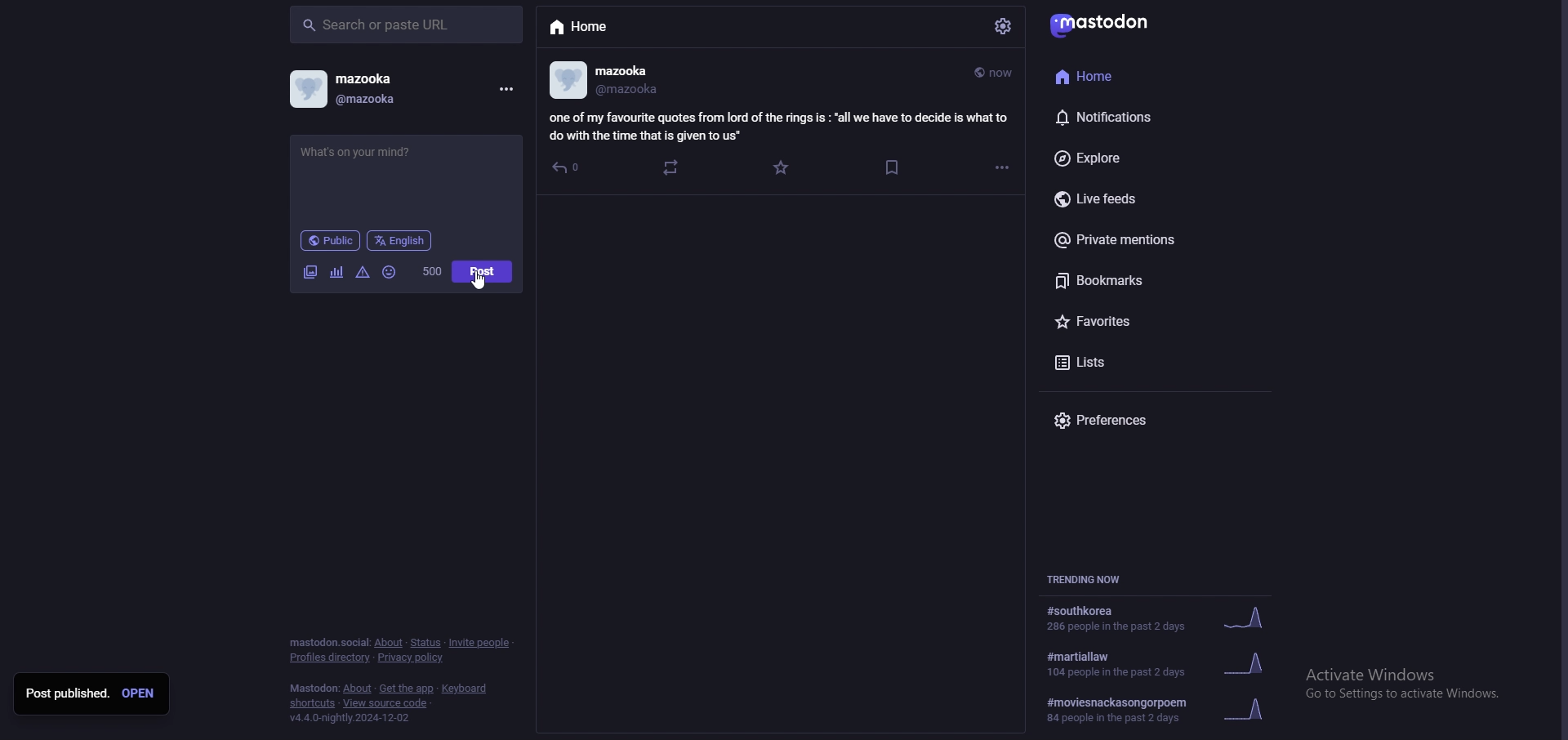  What do you see at coordinates (1147, 280) in the screenshot?
I see `bookmarks` at bounding box center [1147, 280].